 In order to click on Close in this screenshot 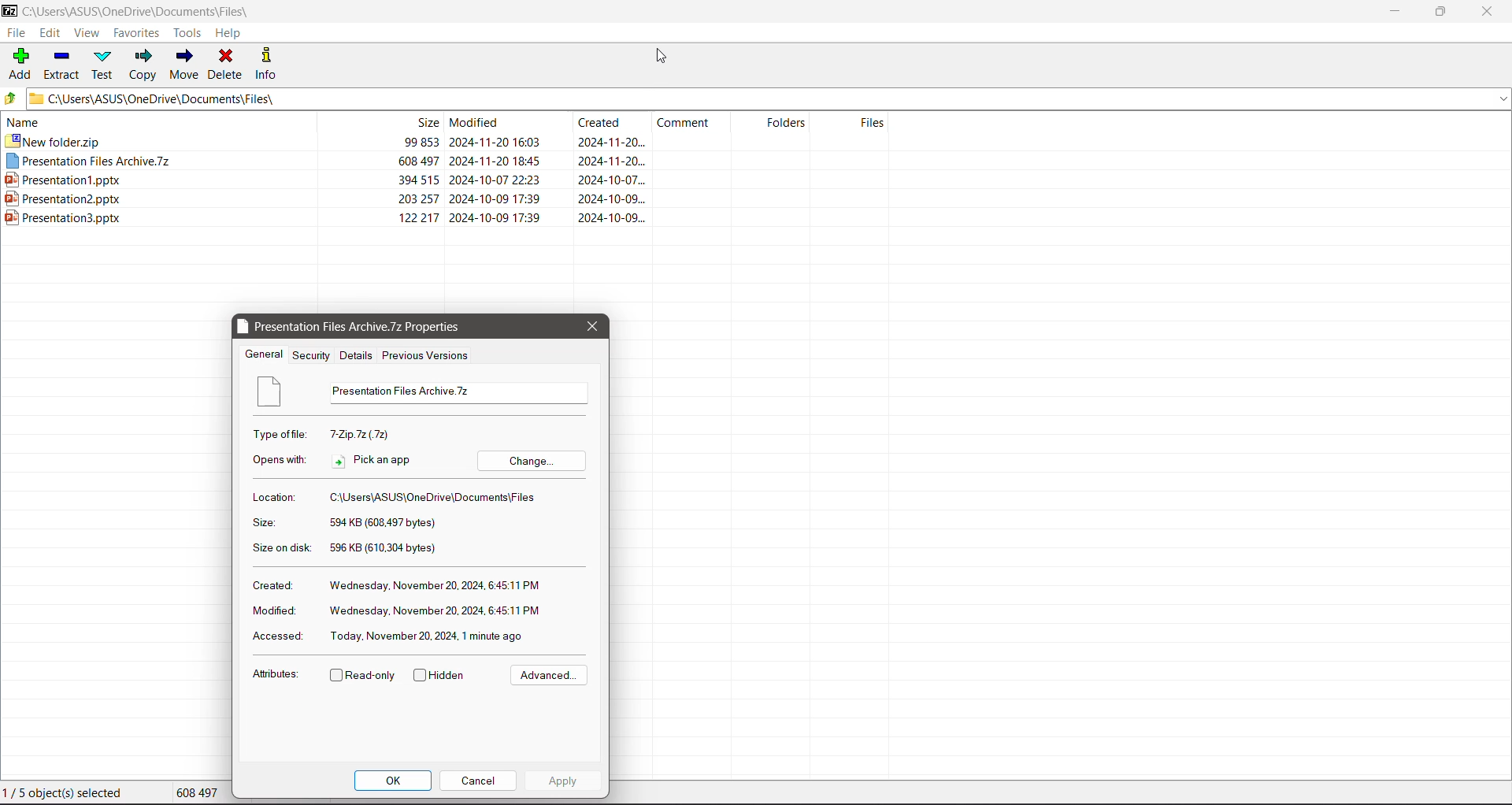, I will do `click(592, 328)`.